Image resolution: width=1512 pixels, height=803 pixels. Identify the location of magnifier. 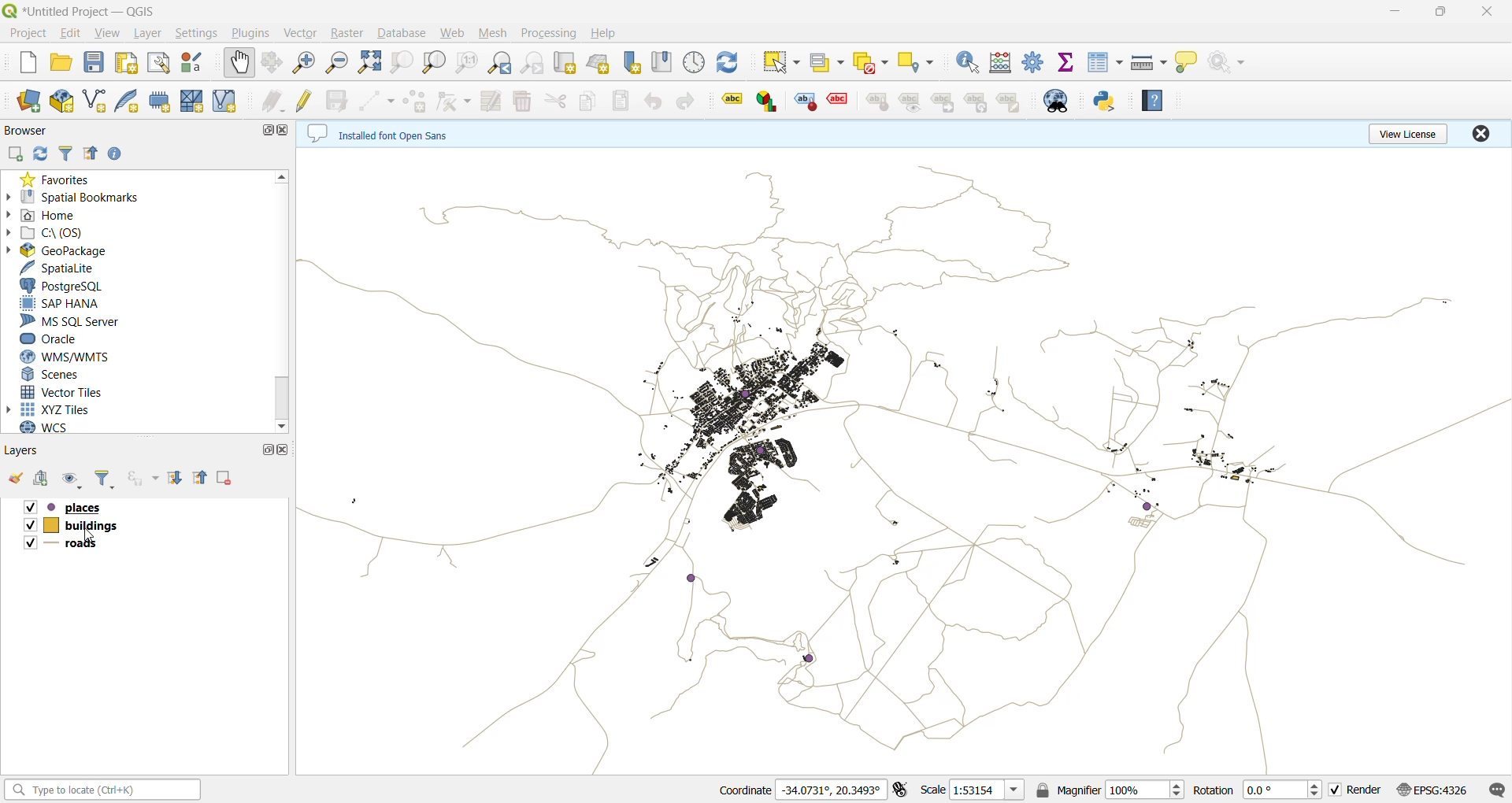
(1119, 791).